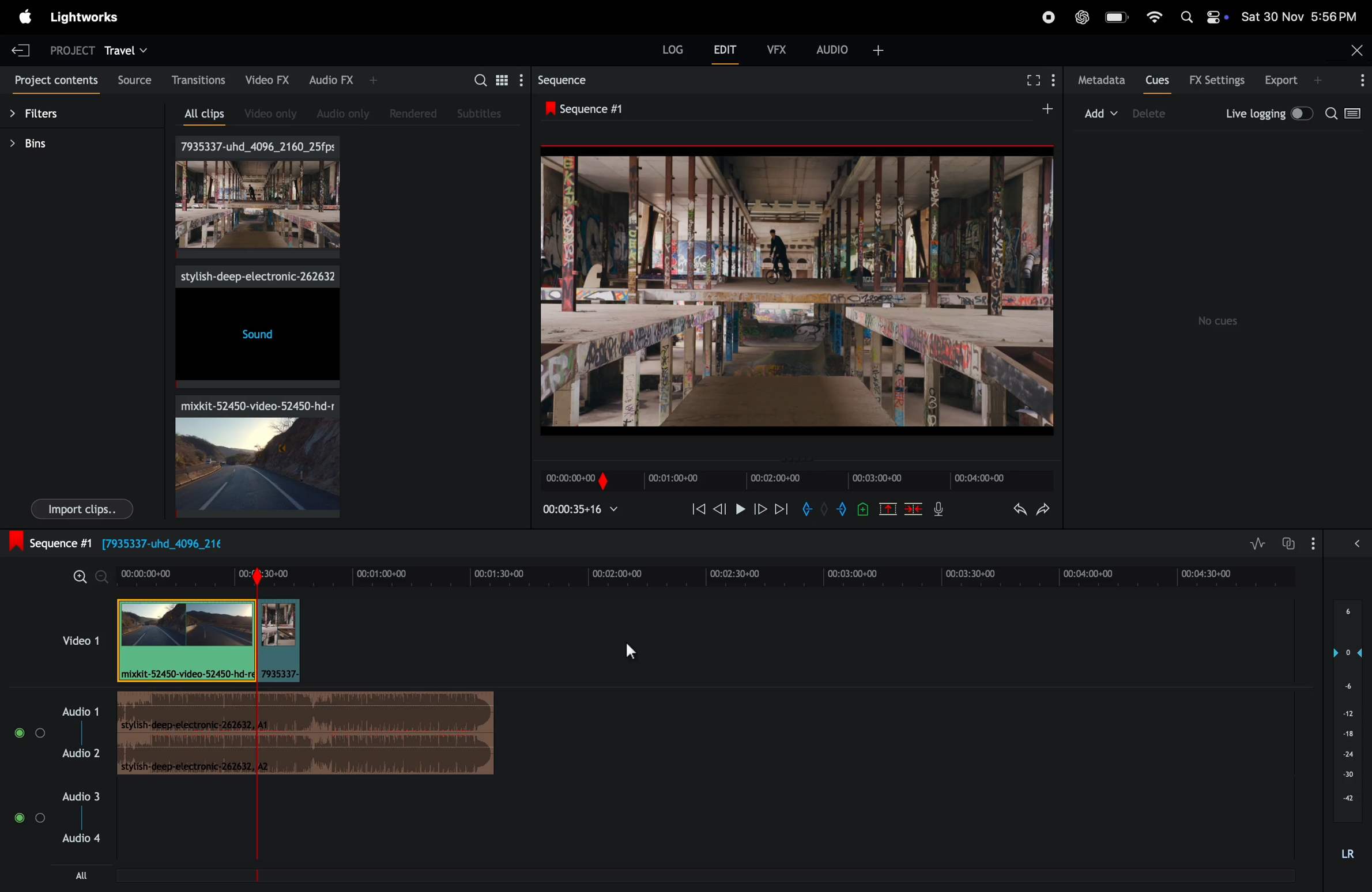 The image size is (1372, 892). Describe the element at coordinates (937, 512) in the screenshot. I see `mic` at that location.